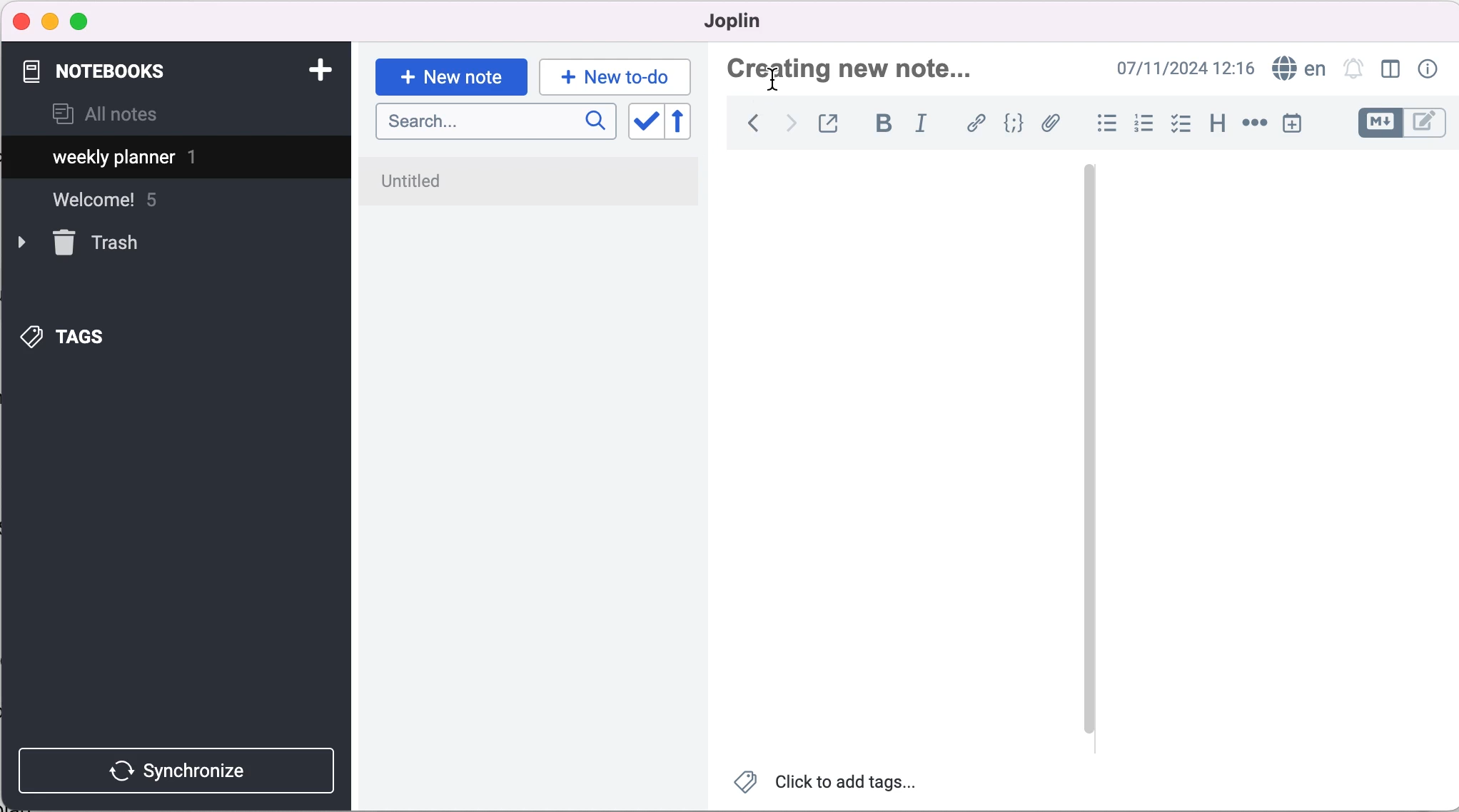  Describe the element at coordinates (754, 21) in the screenshot. I see `joplin` at that location.